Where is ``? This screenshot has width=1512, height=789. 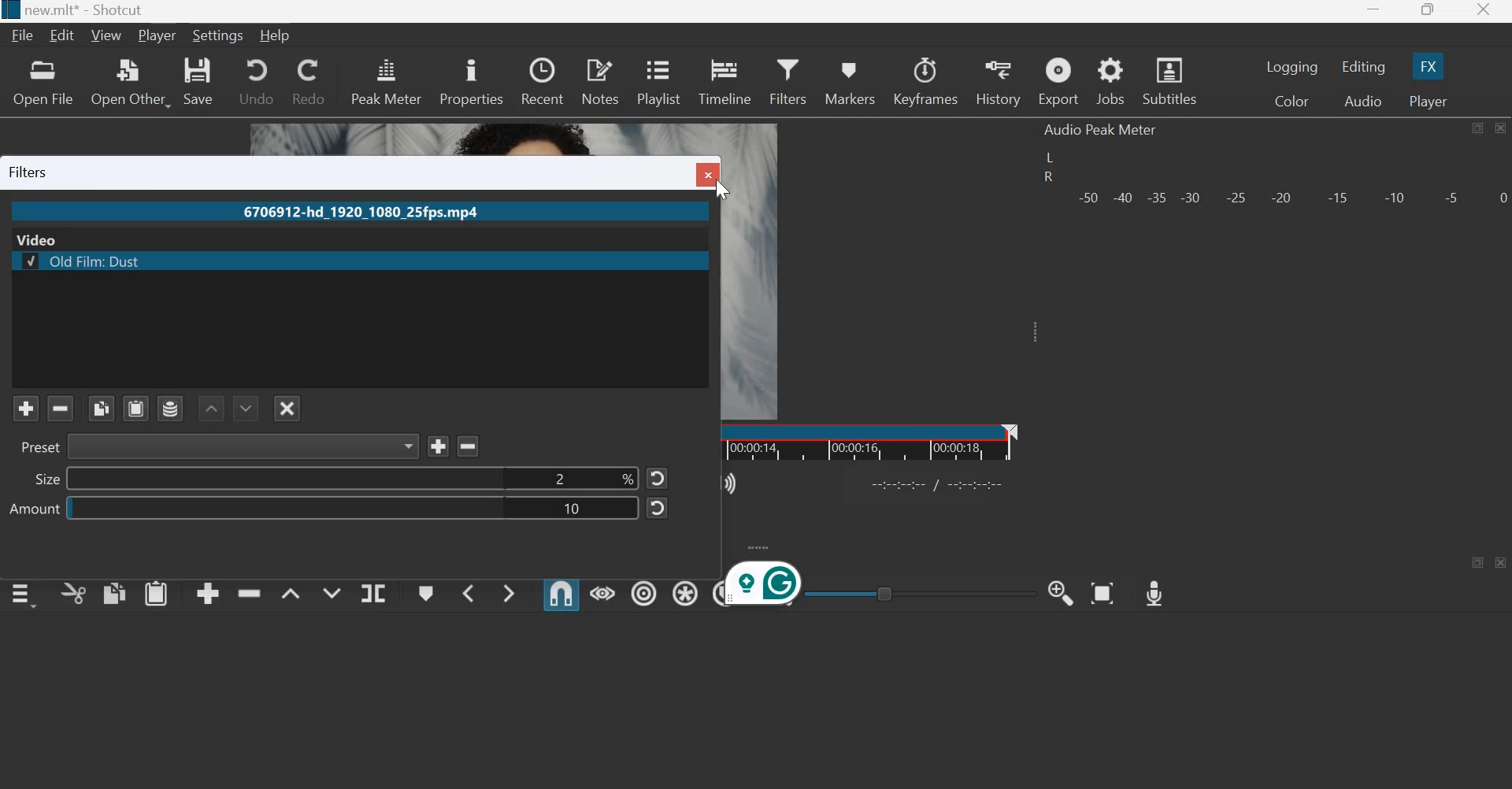
 is located at coordinates (708, 176).